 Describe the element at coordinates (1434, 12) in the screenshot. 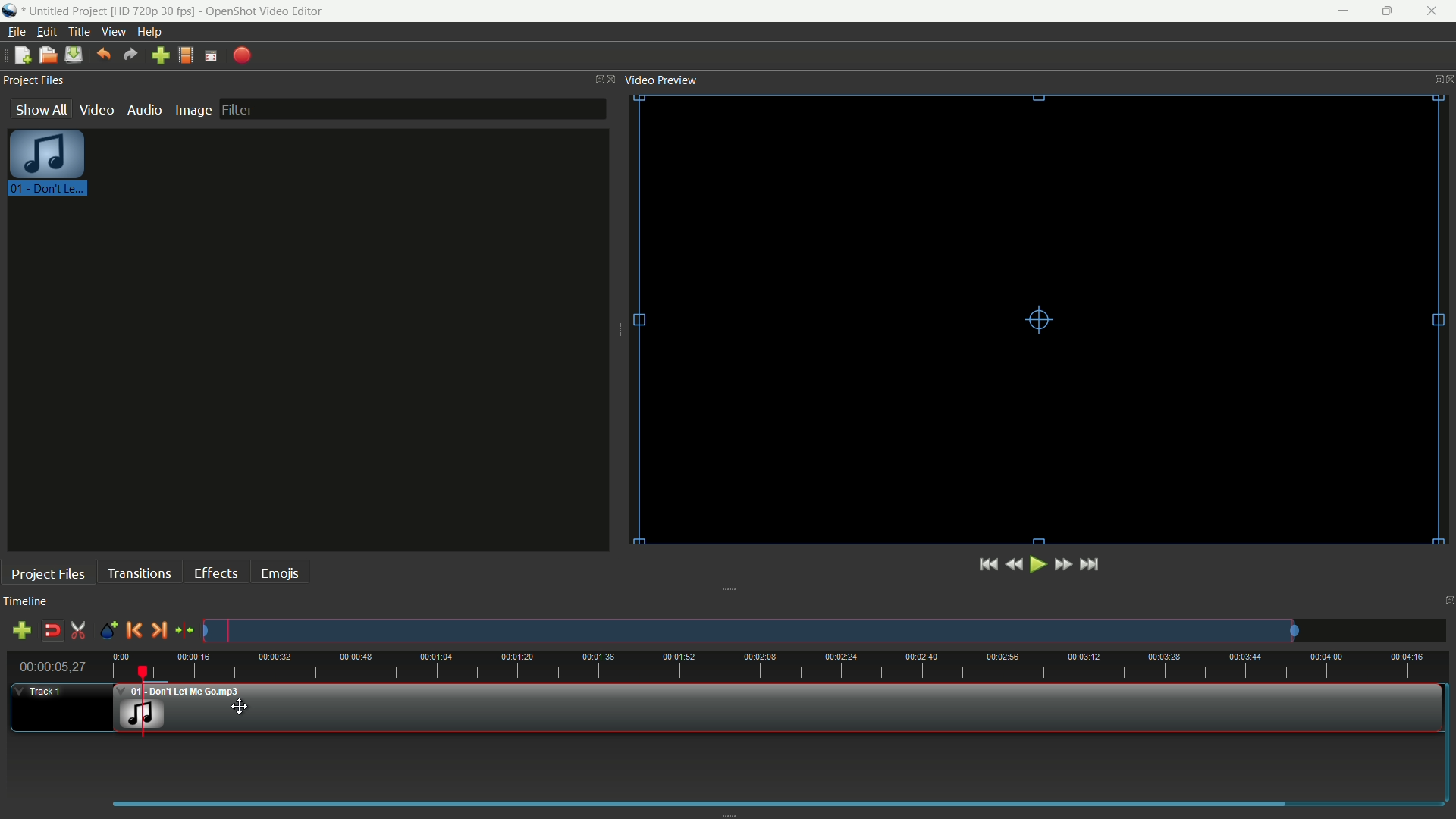

I see `close app` at that location.